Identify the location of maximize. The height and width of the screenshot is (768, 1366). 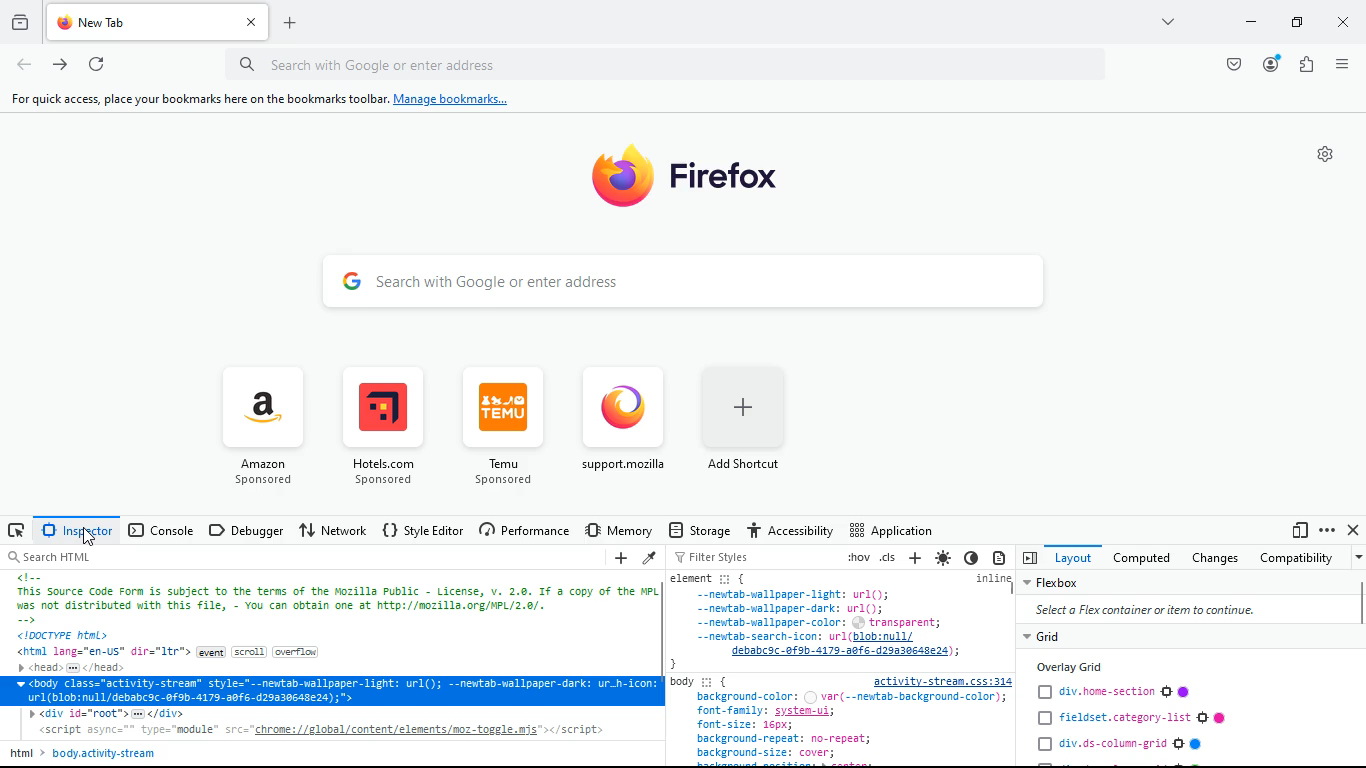
(1295, 24).